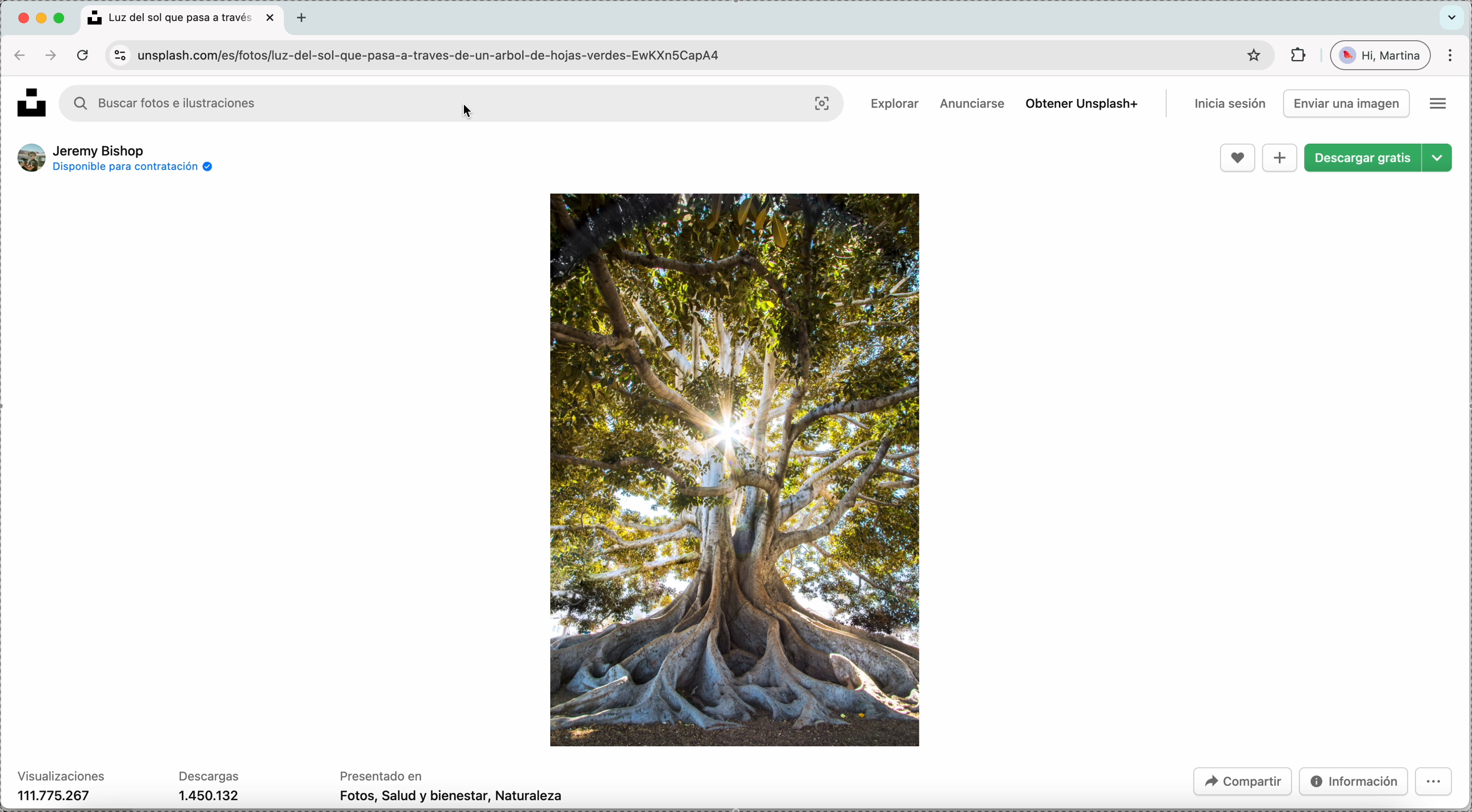  I want to click on cursor, so click(473, 113).